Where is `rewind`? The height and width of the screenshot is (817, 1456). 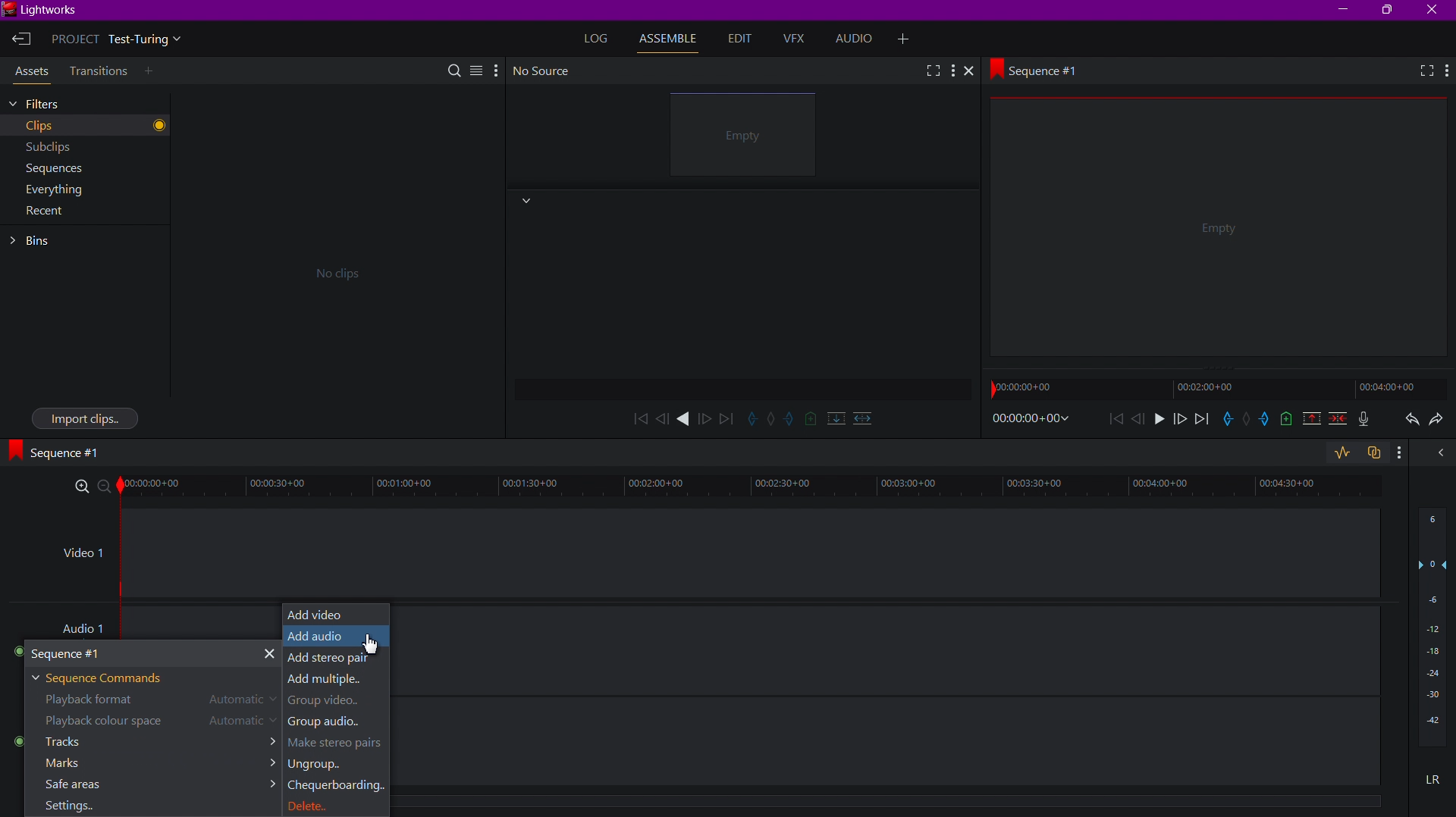 rewind is located at coordinates (662, 418).